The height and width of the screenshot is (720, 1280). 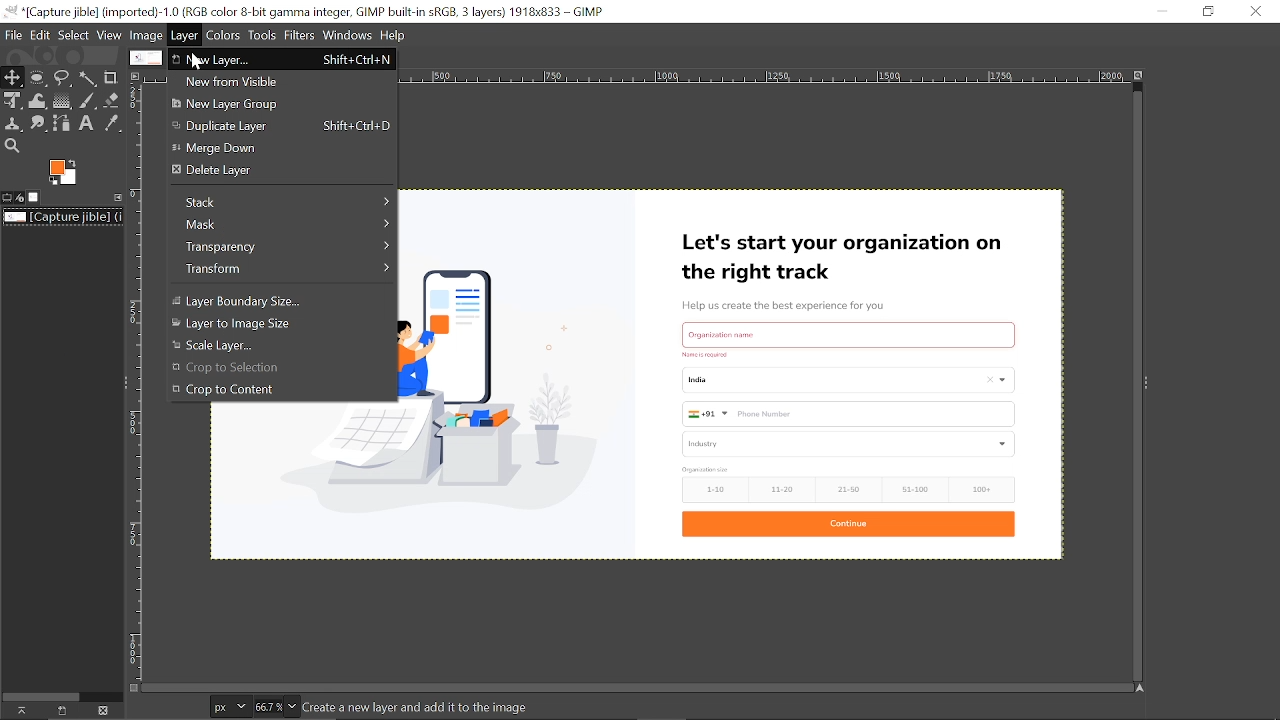 What do you see at coordinates (283, 389) in the screenshot?
I see `Crop to content` at bounding box center [283, 389].